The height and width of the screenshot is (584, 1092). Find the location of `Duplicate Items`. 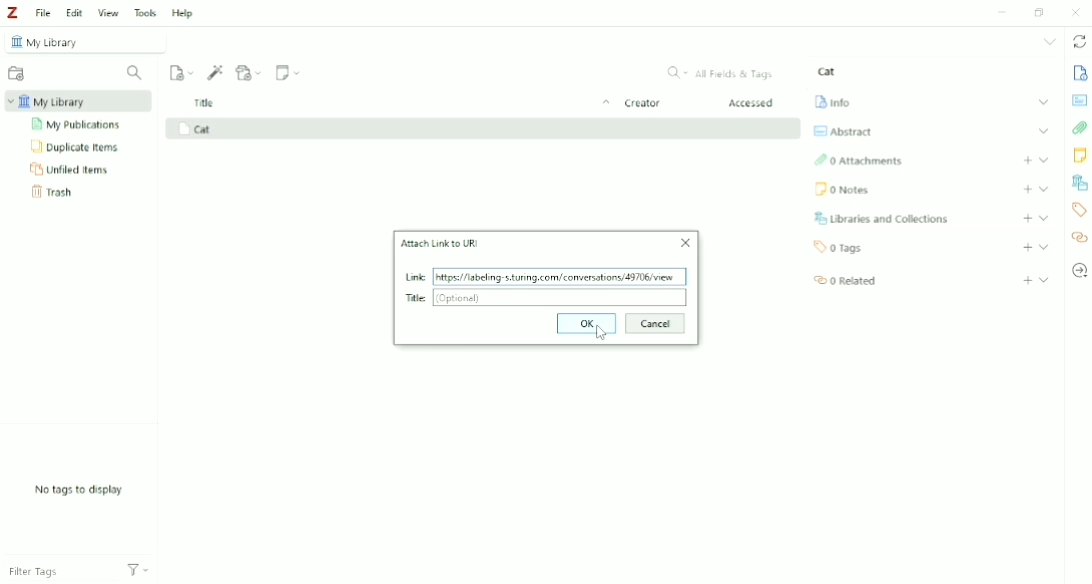

Duplicate Items is located at coordinates (76, 146).